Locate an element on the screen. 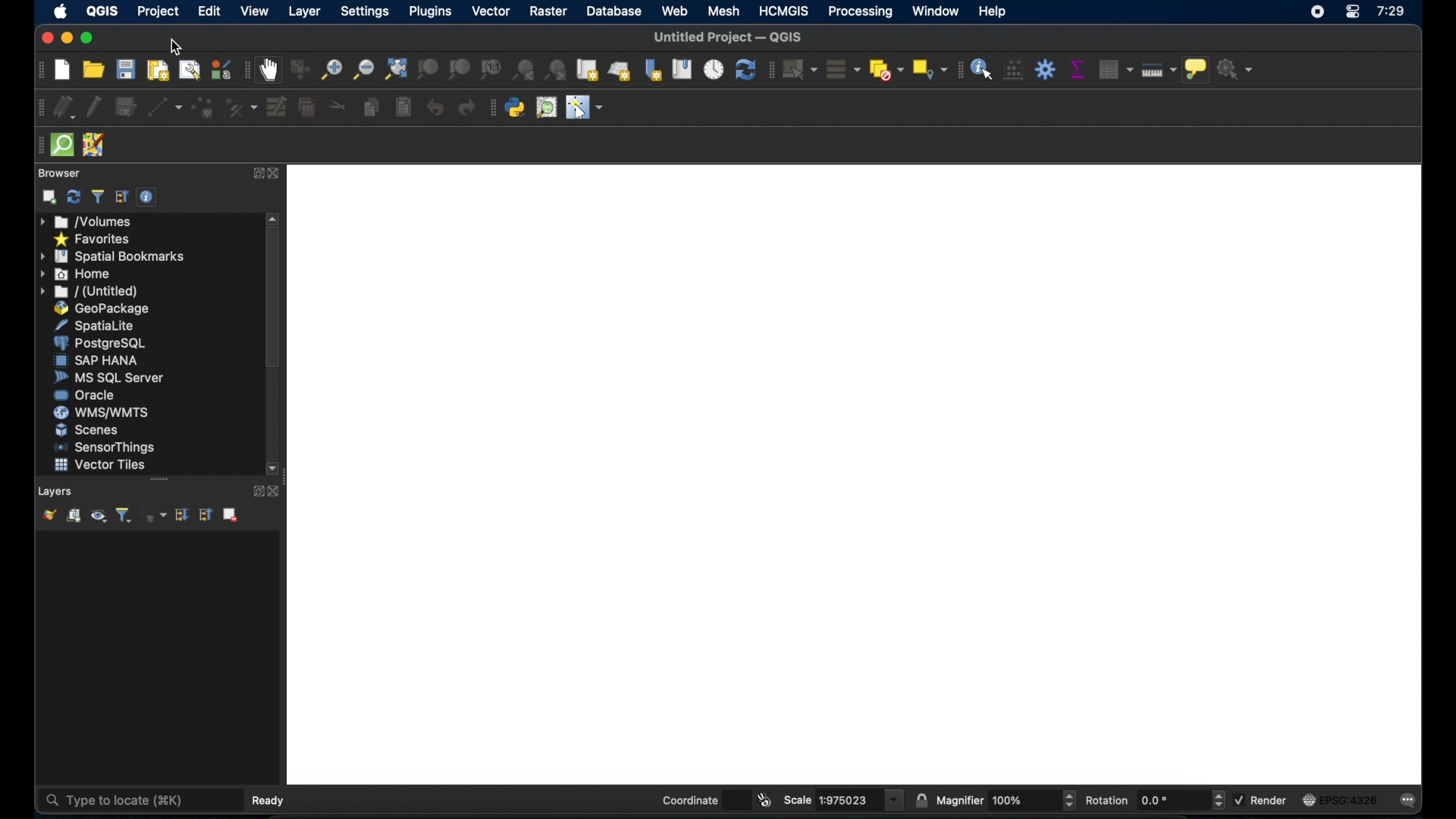 The width and height of the screenshot is (1456, 819). select by location is located at coordinates (929, 69).